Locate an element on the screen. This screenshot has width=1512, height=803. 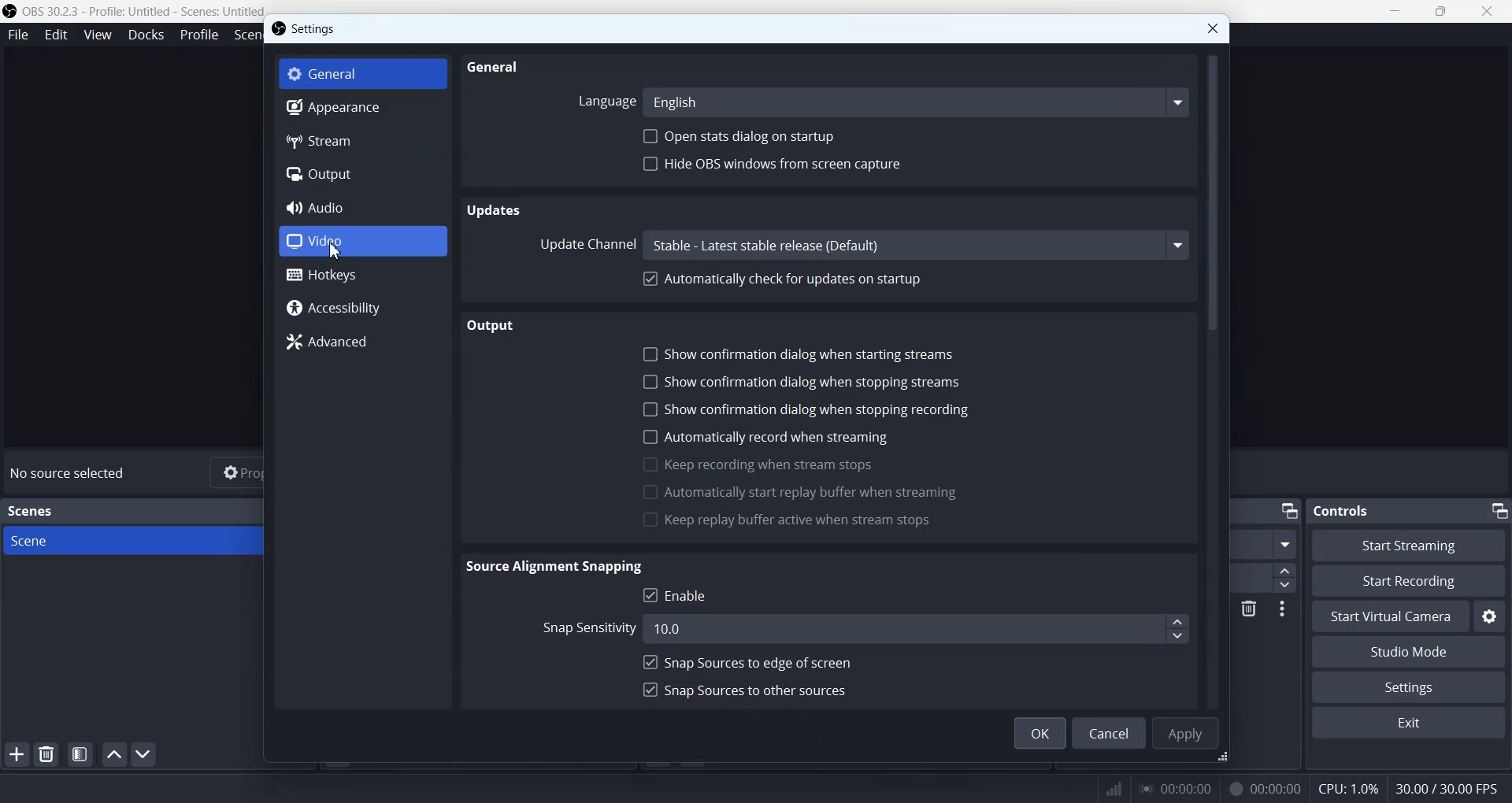
Settings is located at coordinates (1491, 618).